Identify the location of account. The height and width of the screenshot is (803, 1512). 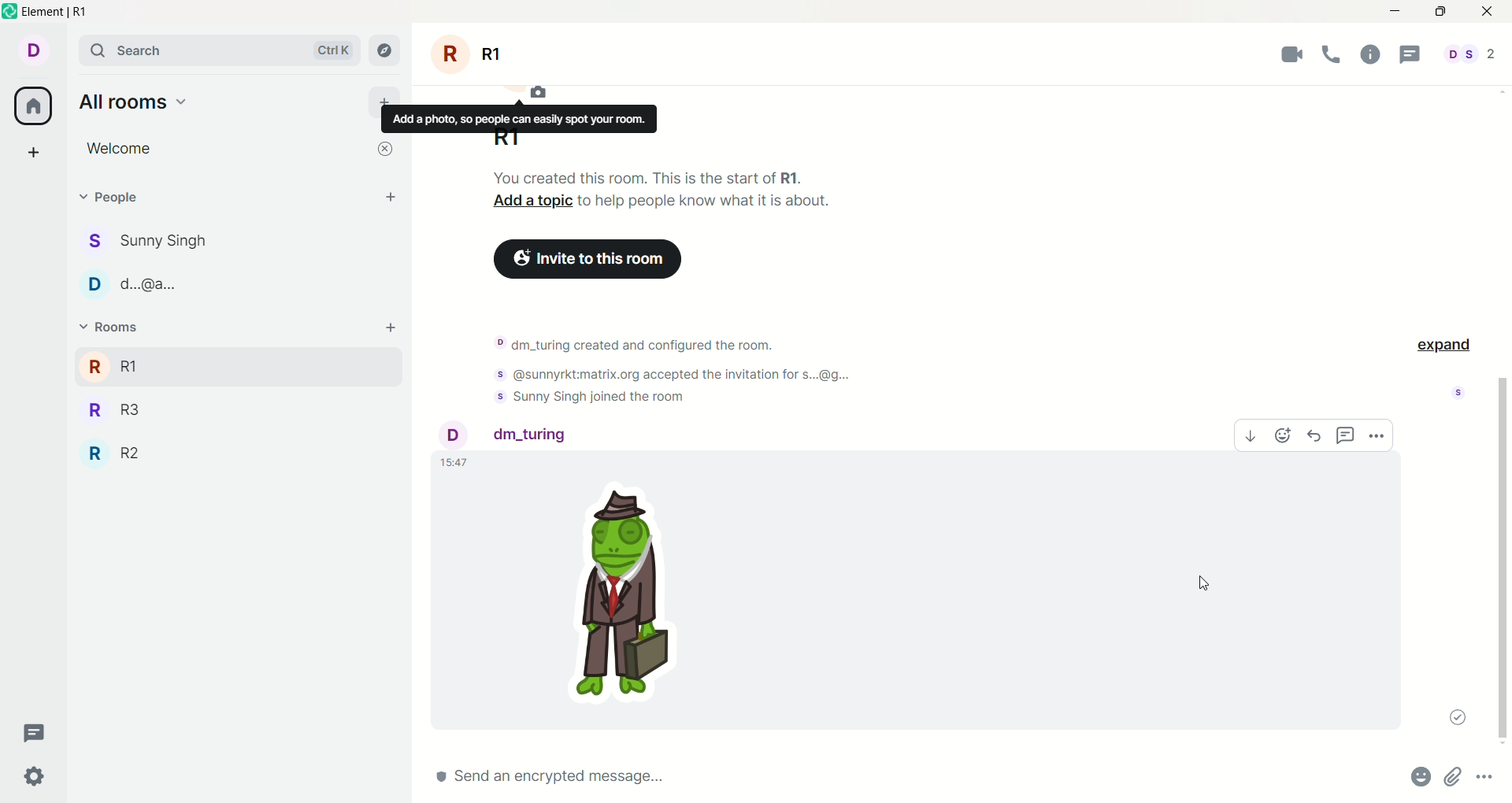
(510, 436).